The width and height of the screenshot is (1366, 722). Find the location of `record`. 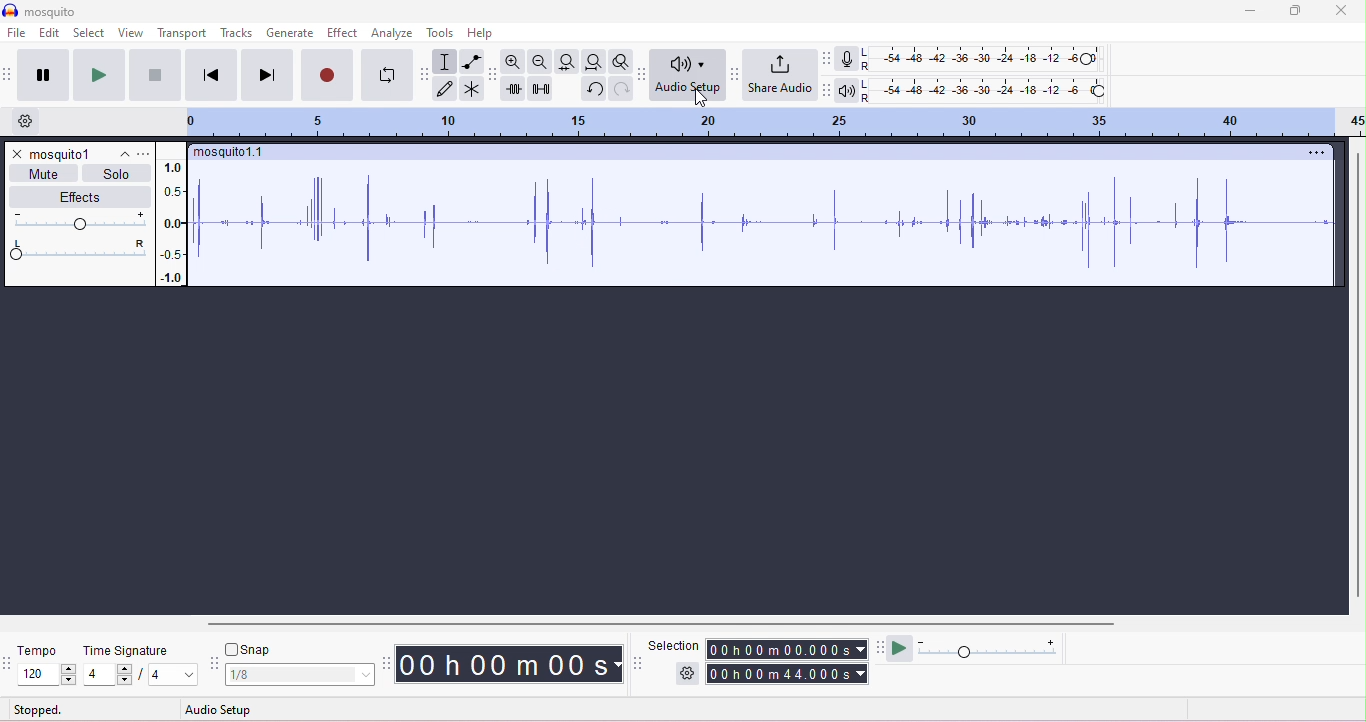

record is located at coordinates (327, 74).